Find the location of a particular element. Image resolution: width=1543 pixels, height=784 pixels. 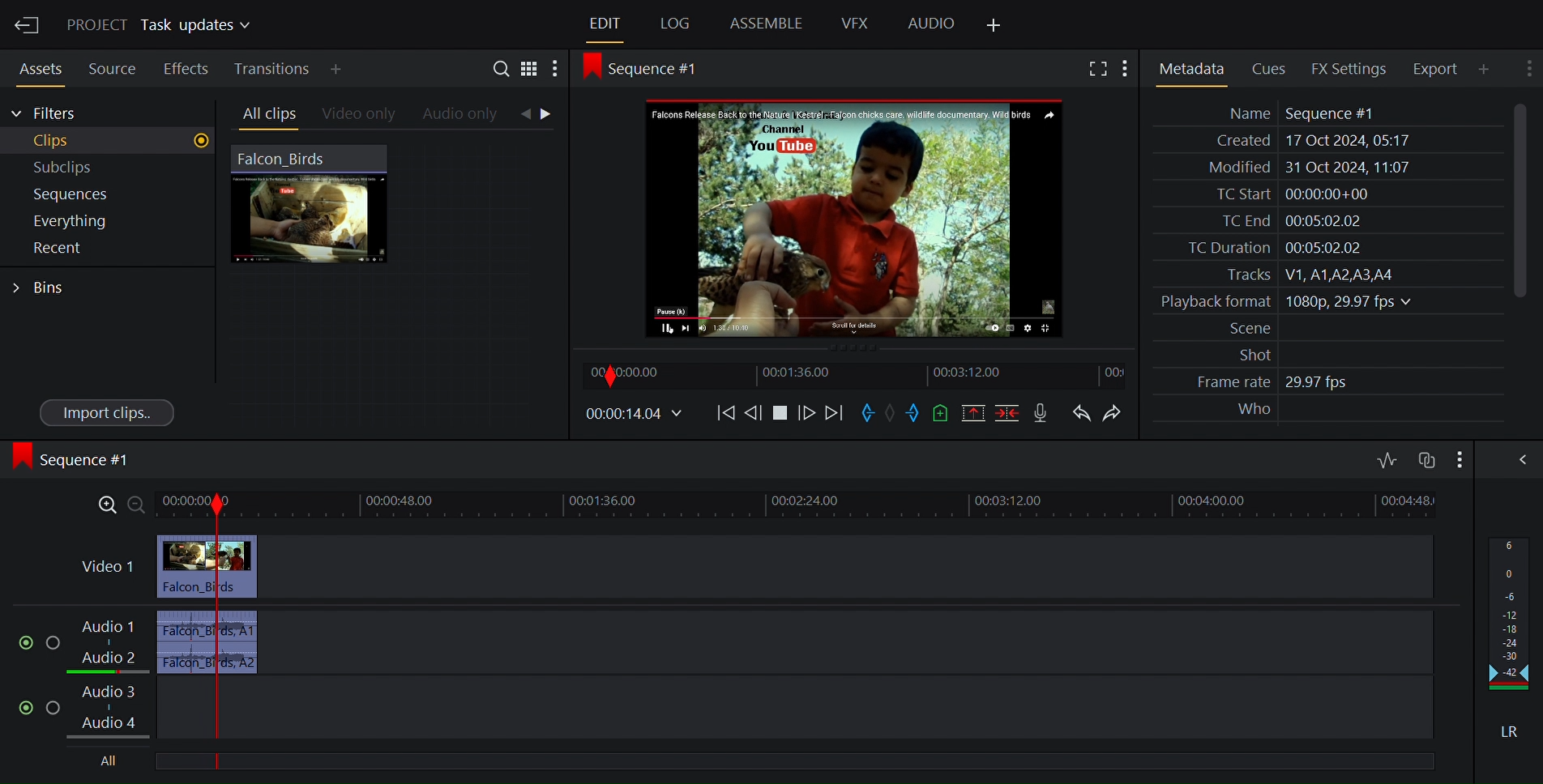

Audio 1 is located at coordinates (112, 628).